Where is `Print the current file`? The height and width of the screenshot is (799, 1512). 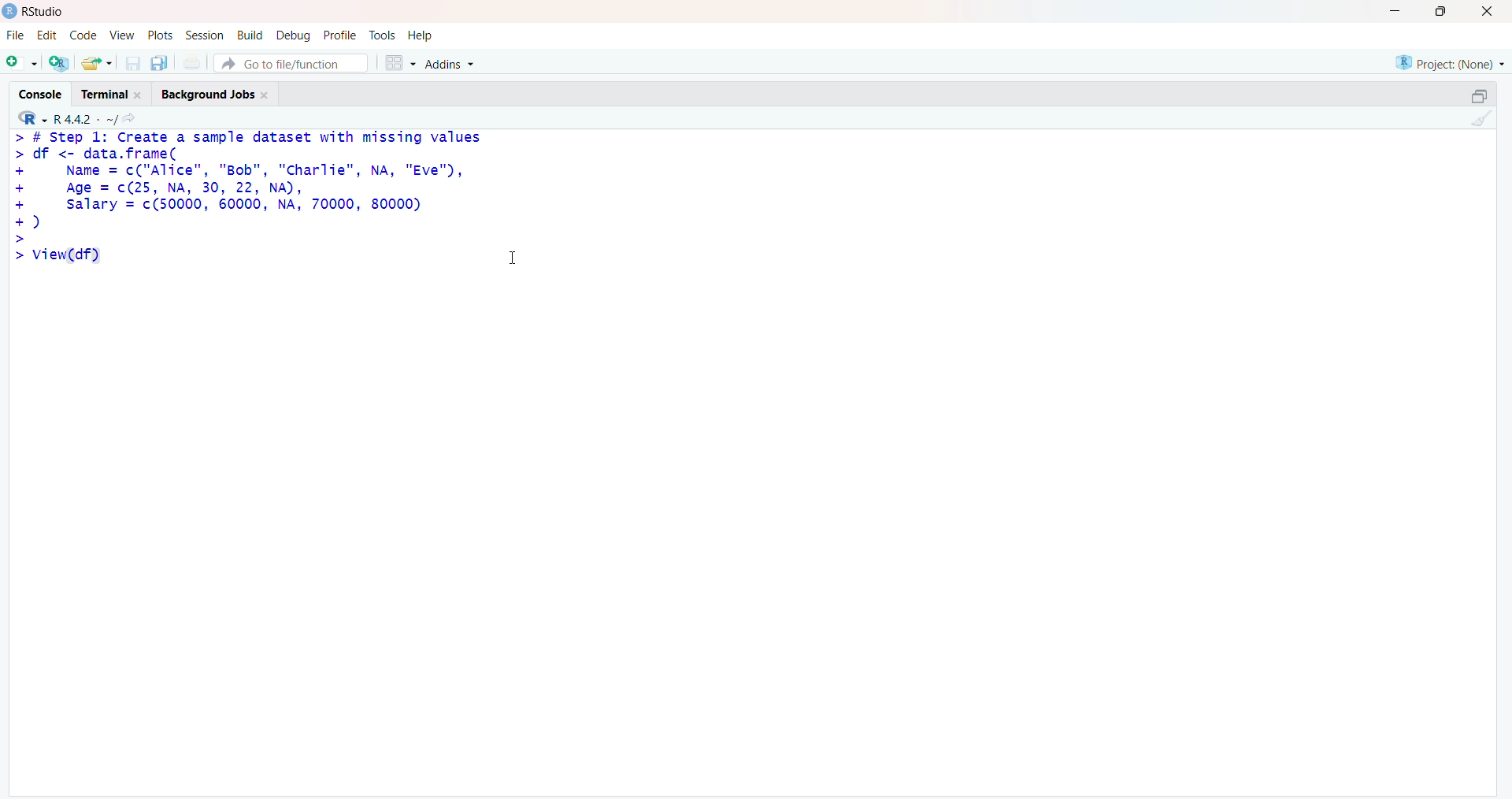 Print the current file is located at coordinates (194, 61).